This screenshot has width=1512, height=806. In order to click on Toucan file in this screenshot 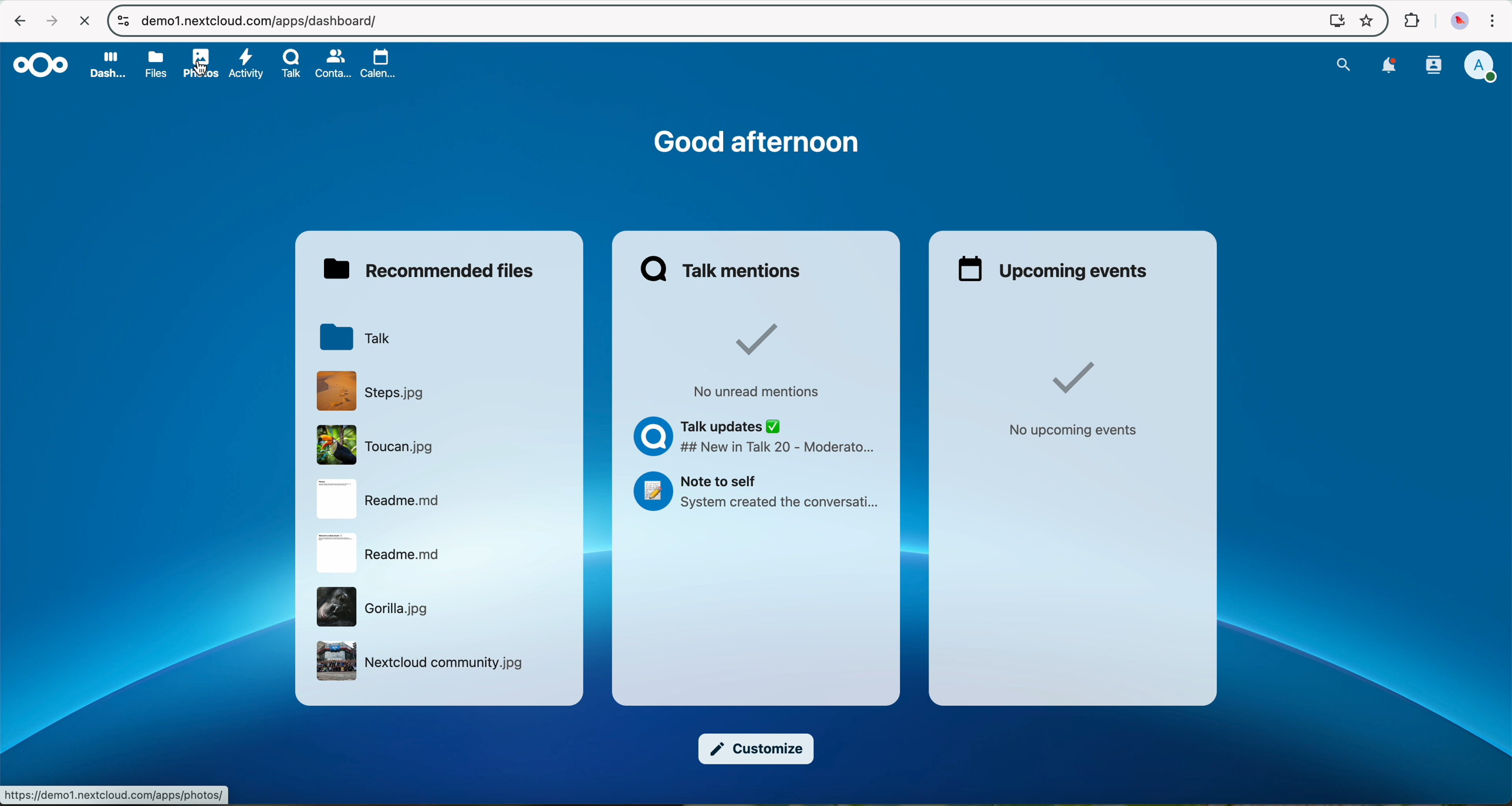, I will do `click(373, 445)`.